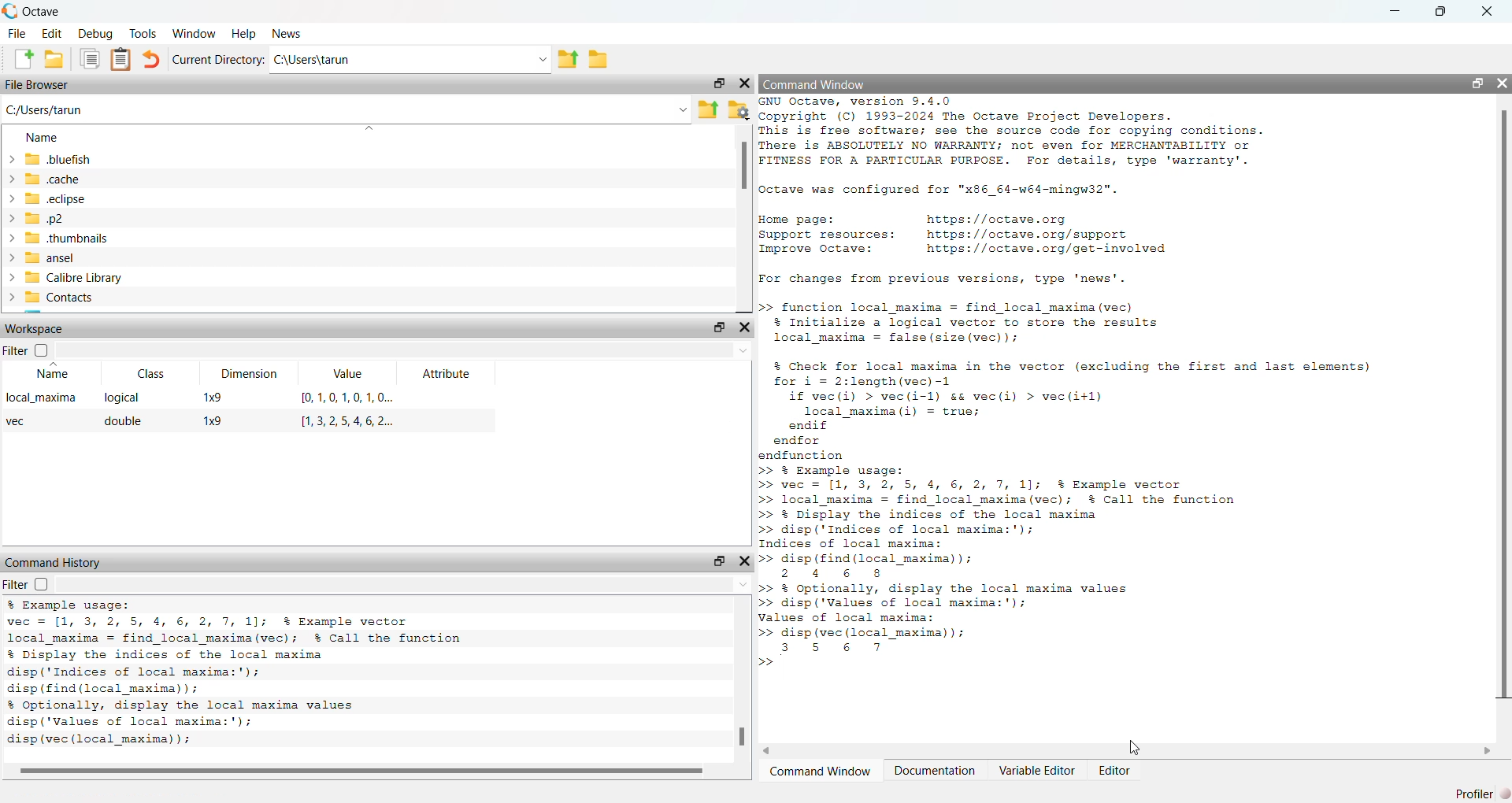 The width and height of the screenshot is (1512, 803). Describe the element at coordinates (1114, 771) in the screenshot. I see `Editor` at that location.